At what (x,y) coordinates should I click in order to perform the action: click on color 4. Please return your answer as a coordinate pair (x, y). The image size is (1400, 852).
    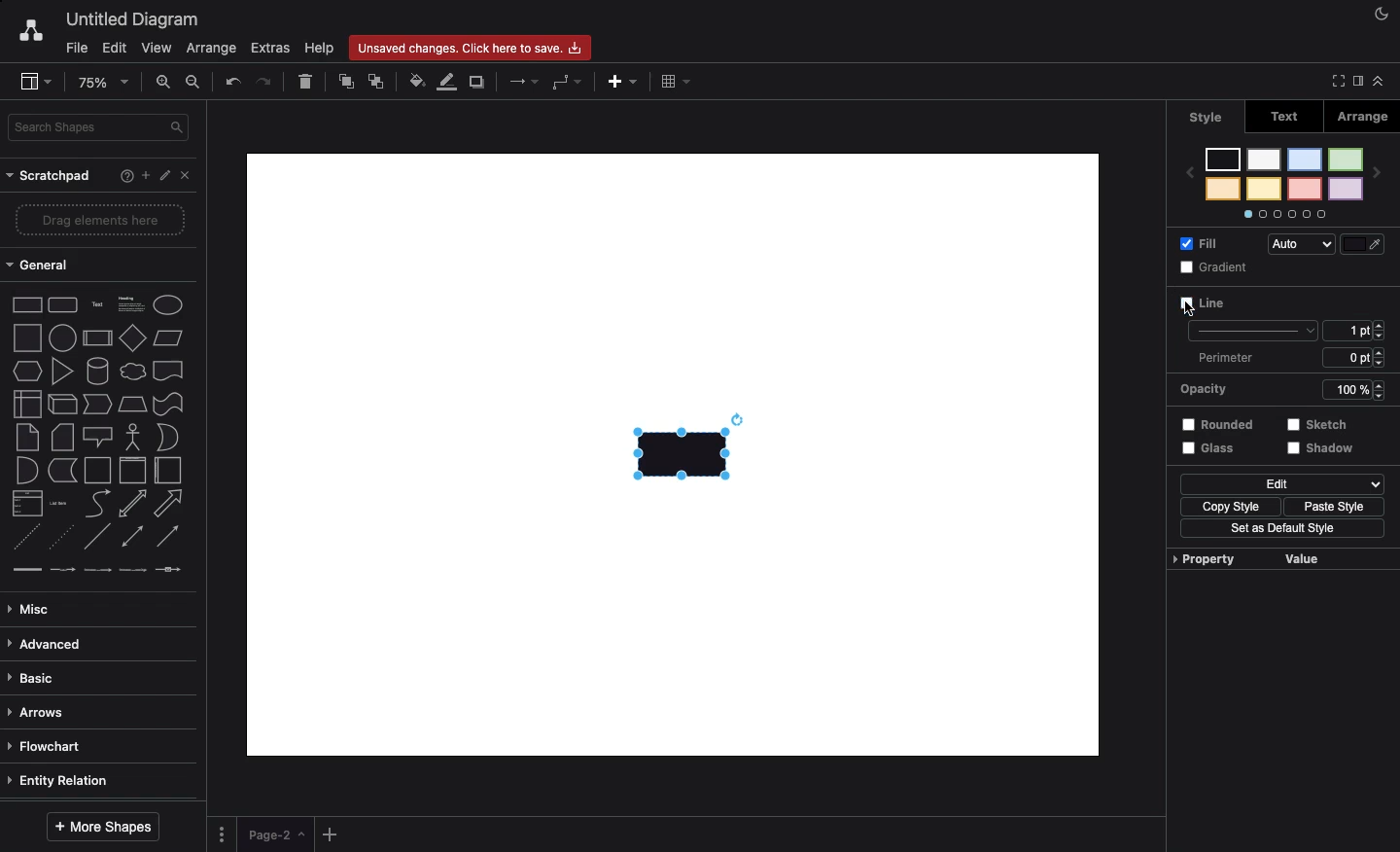
    Looking at the image, I should click on (1304, 190).